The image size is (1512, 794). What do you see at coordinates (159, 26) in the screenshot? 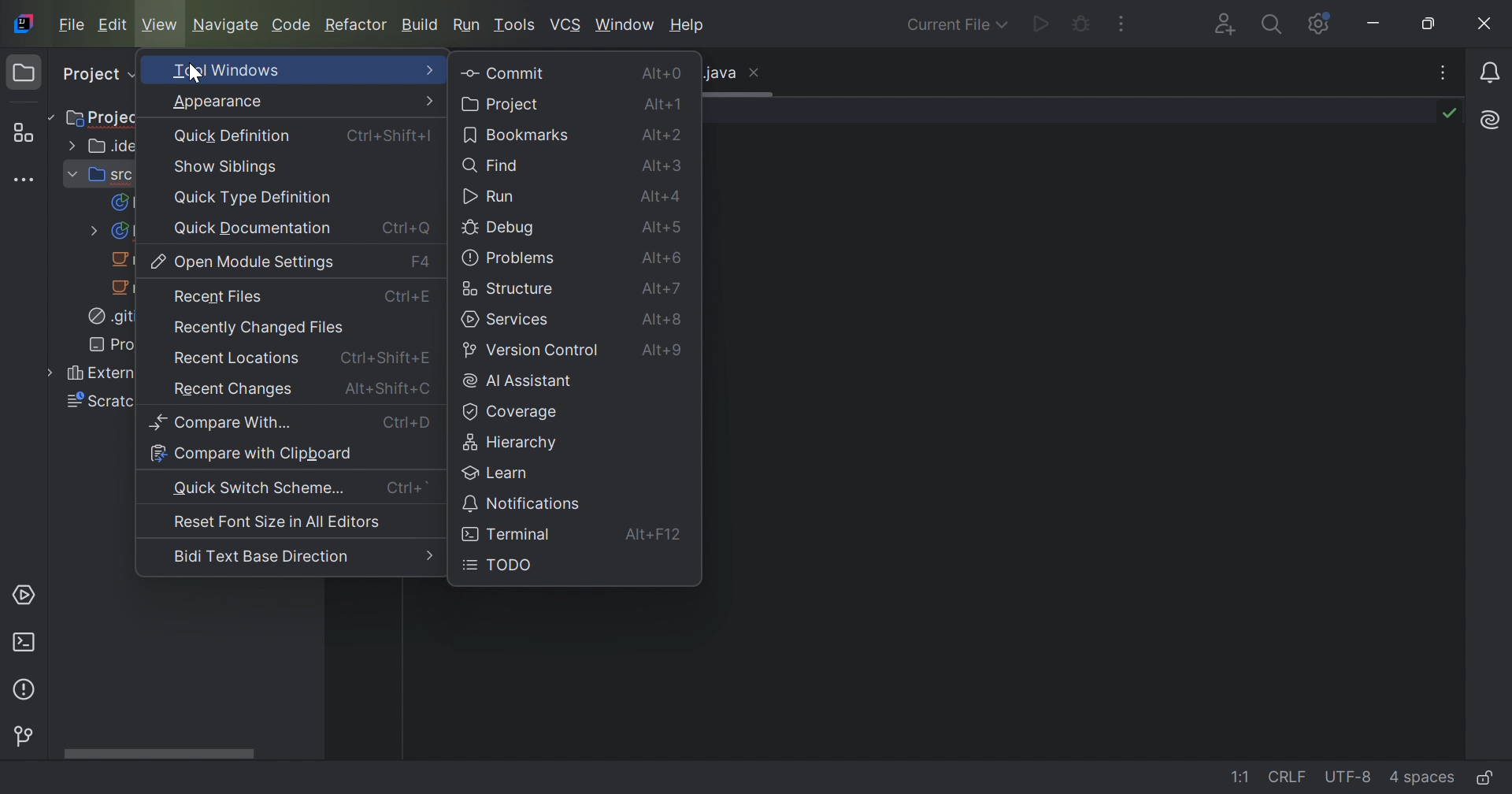
I see `View` at bounding box center [159, 26].